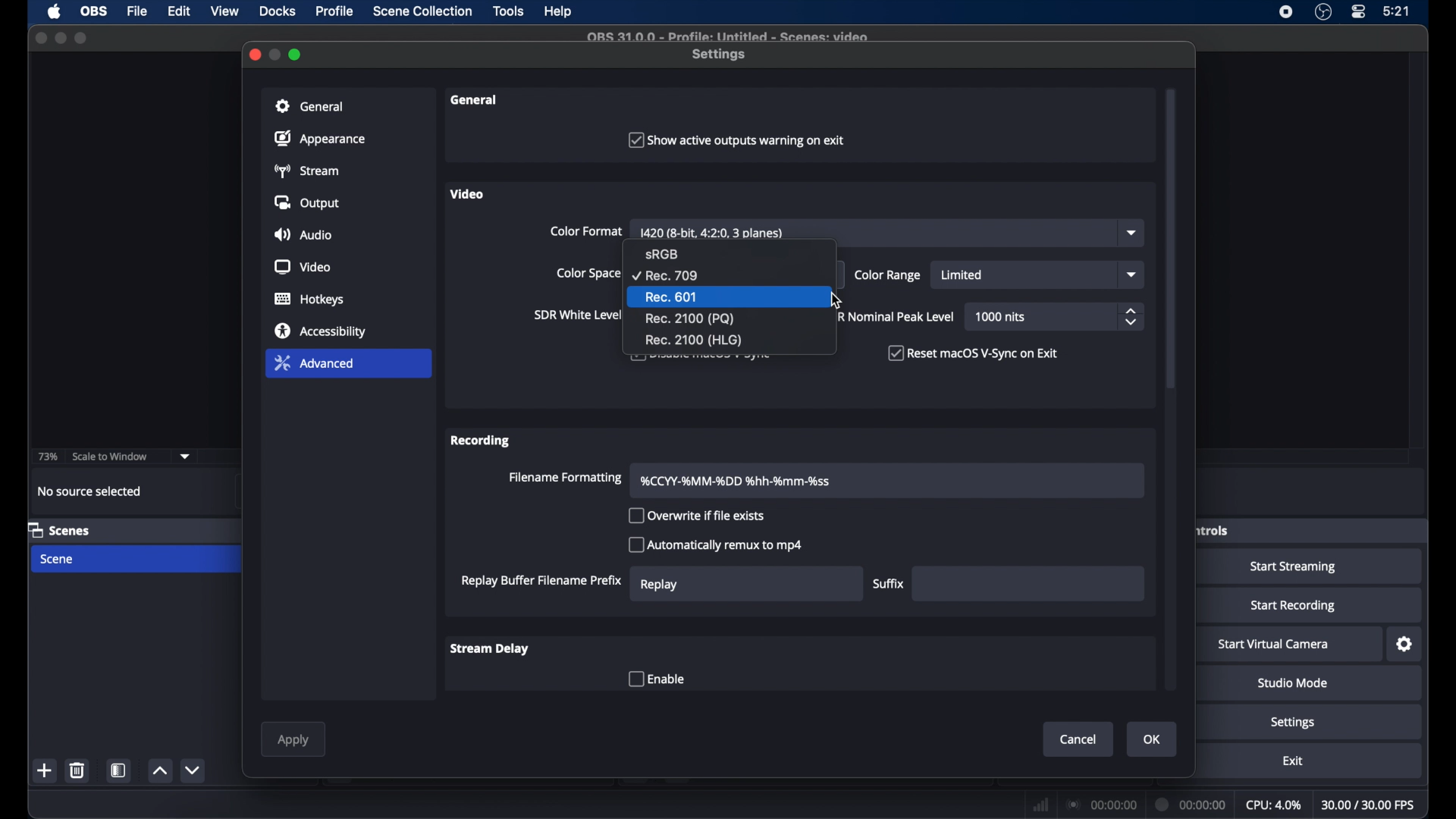  I want to click on recording, so click(482, 441).